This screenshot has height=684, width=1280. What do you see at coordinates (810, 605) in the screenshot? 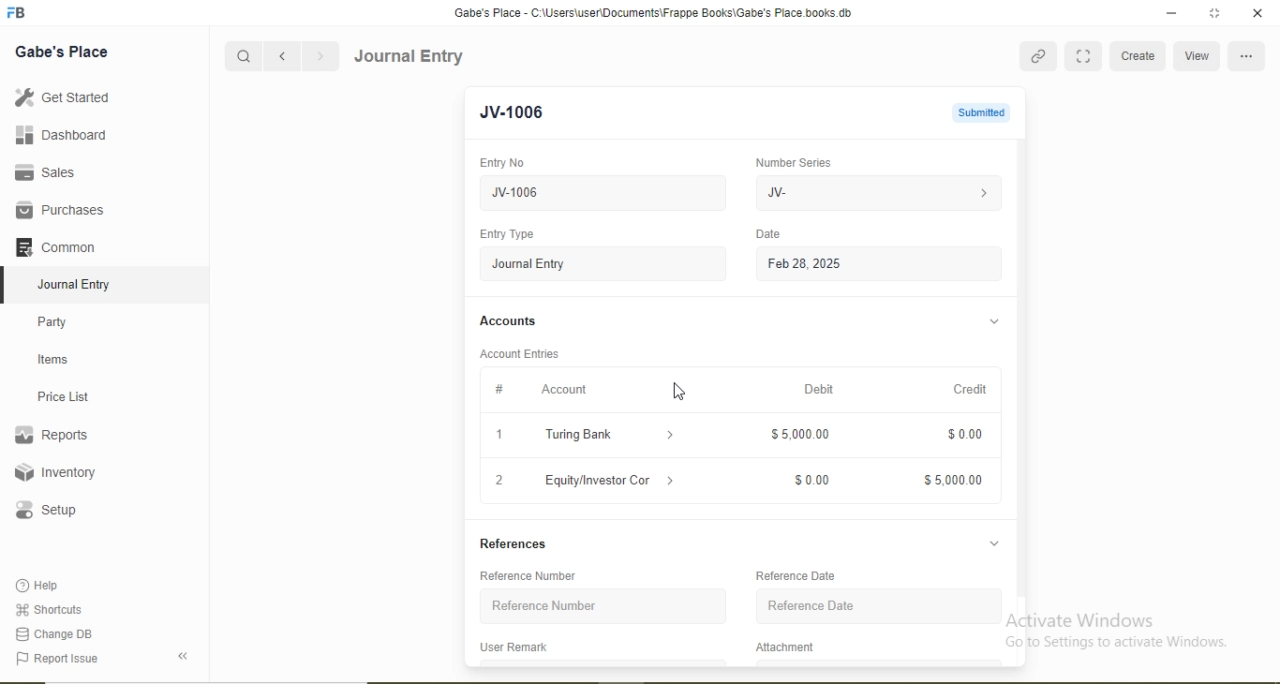
I see `Reference Date` at bounding box center [810, 605].